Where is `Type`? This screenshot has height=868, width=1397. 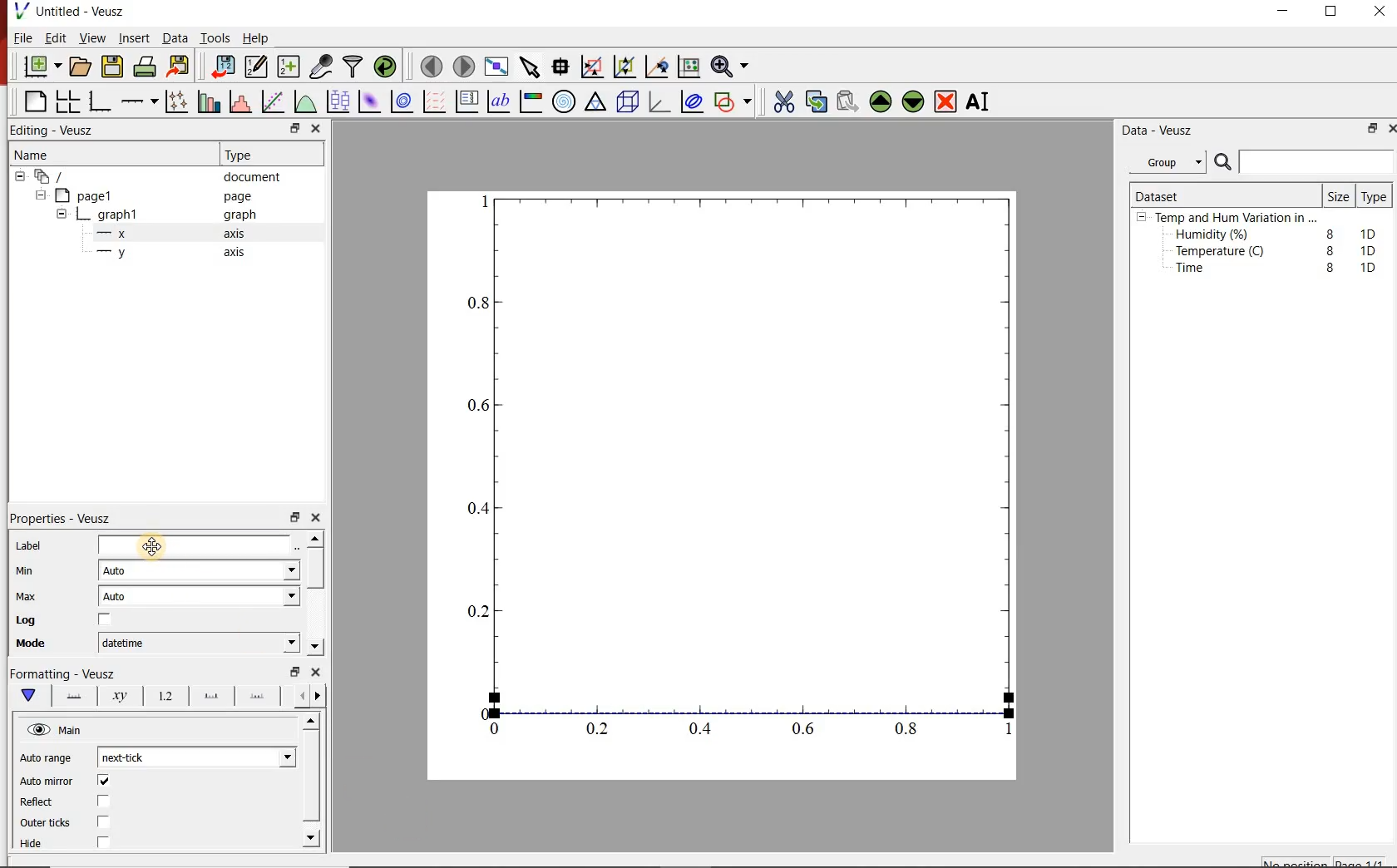 Type is located at coordinates (249, 155).